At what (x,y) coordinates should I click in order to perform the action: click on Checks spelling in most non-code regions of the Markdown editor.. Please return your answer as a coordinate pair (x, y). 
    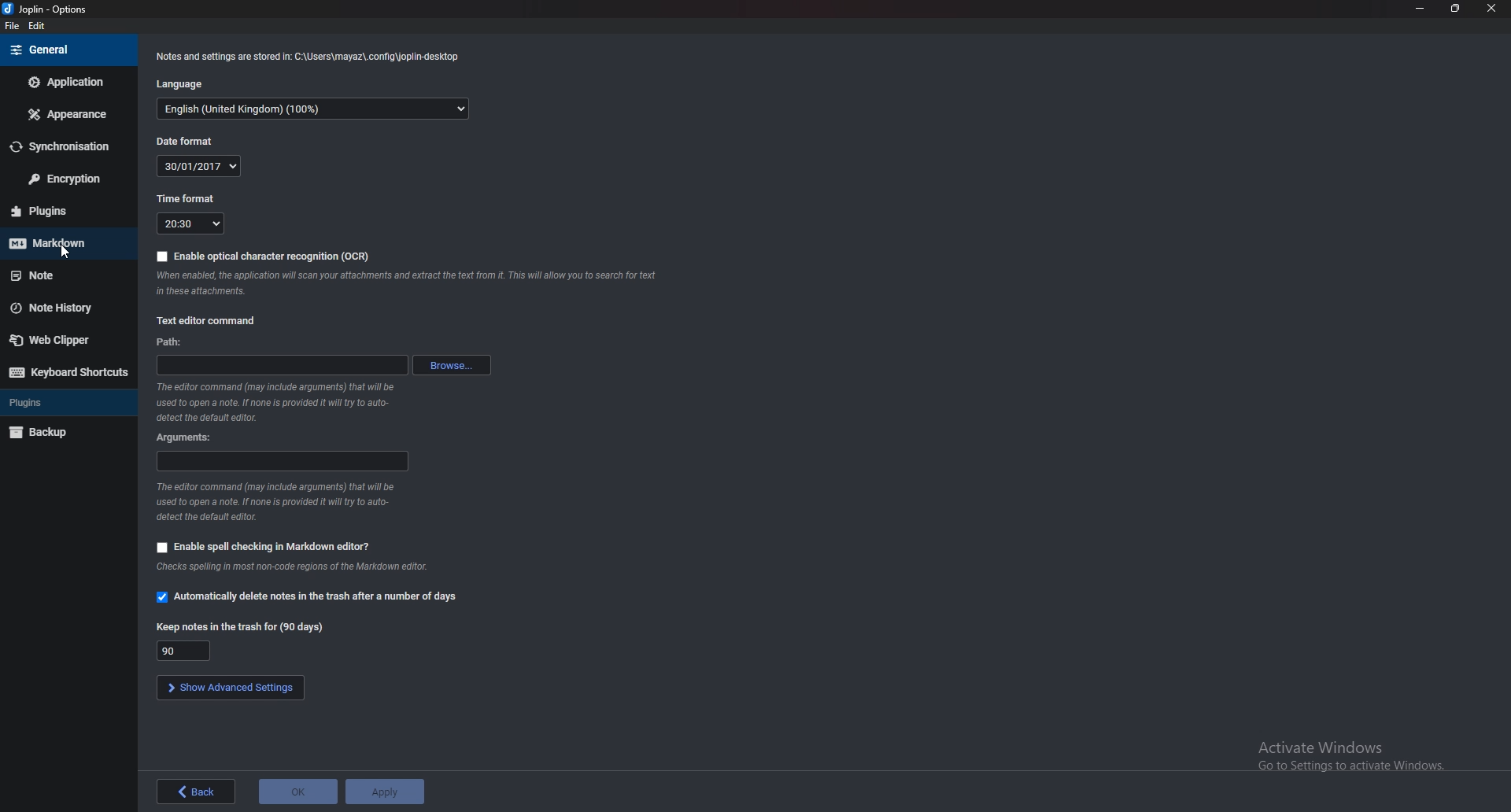
    Looking at the image, I should click on (286, 568).